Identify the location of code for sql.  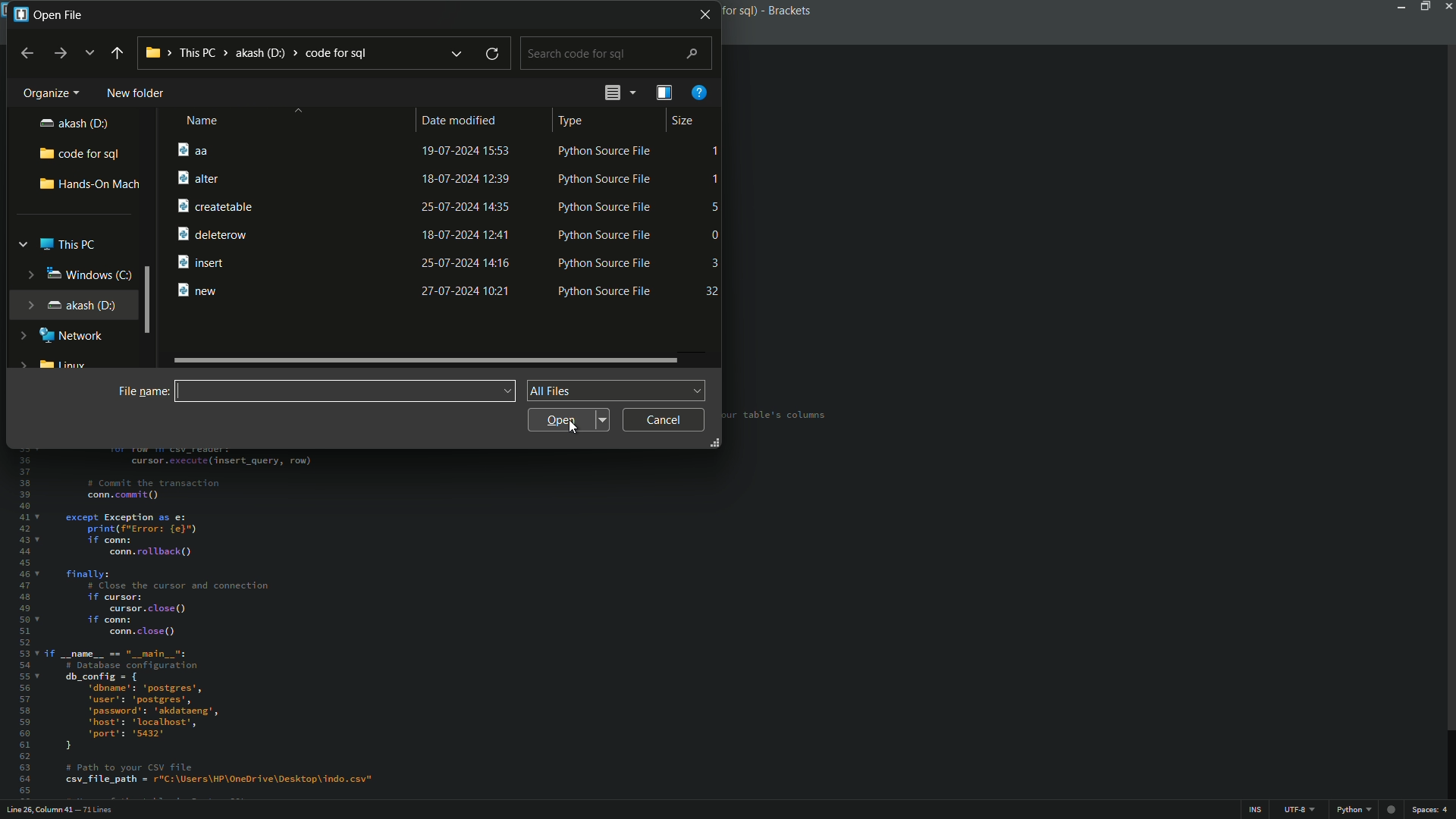
(80, 152).